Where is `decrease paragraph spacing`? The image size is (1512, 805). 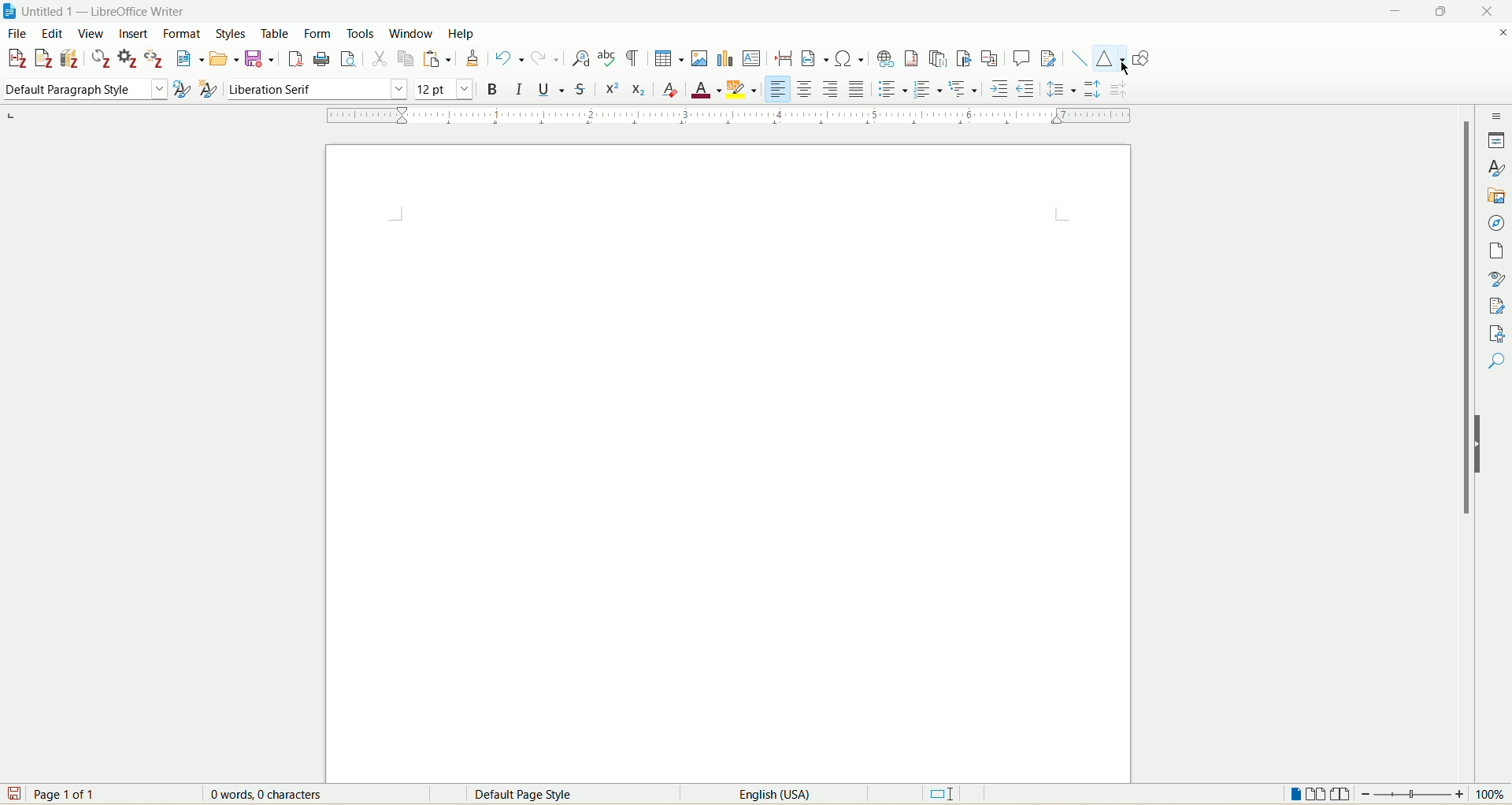
decrease paragraph spacing is located at coordinates (1120, 91).